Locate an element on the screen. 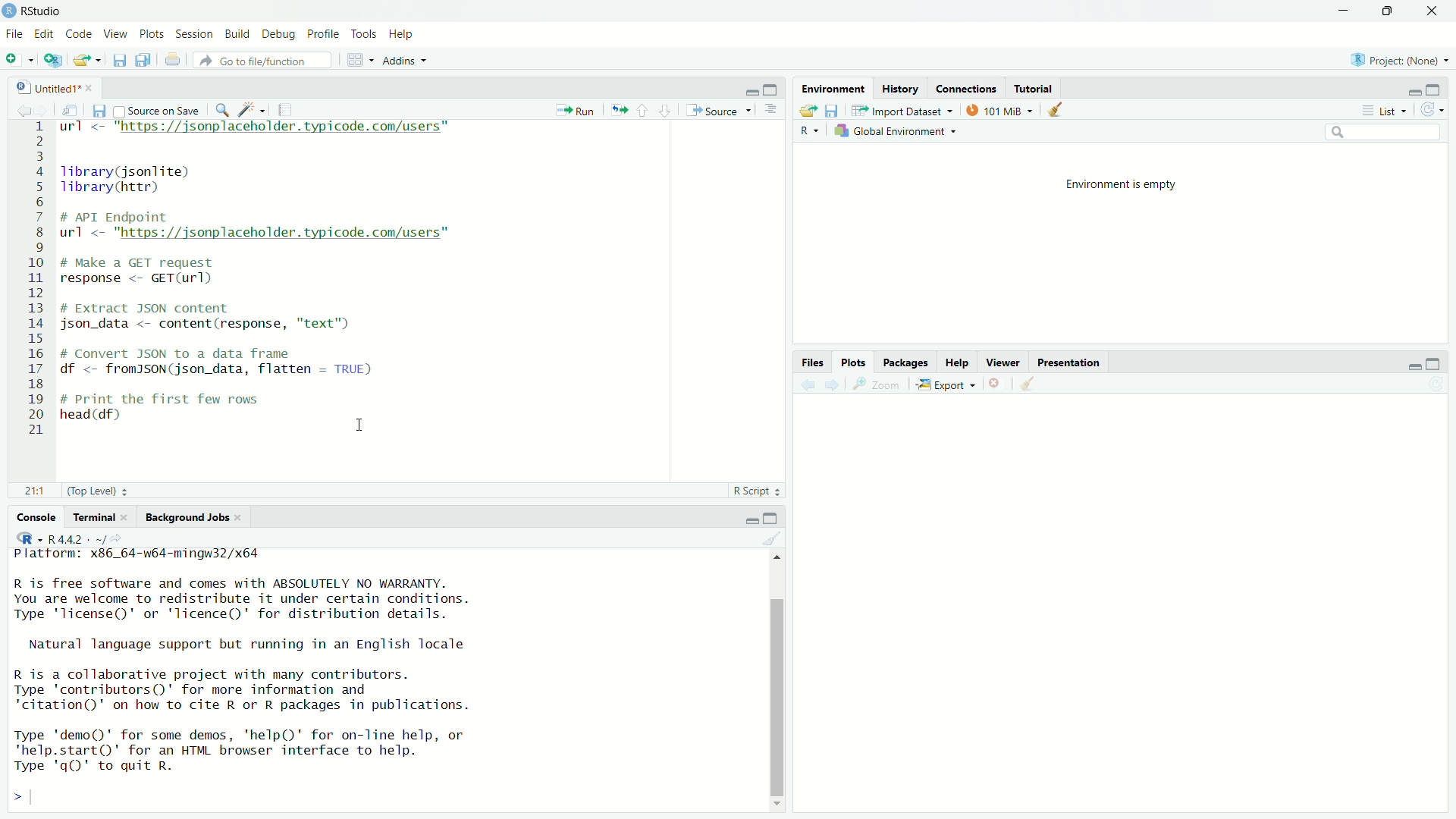 This screenshot has width=1456, height=819. Restore Down is located at coordinates (1389, 11).